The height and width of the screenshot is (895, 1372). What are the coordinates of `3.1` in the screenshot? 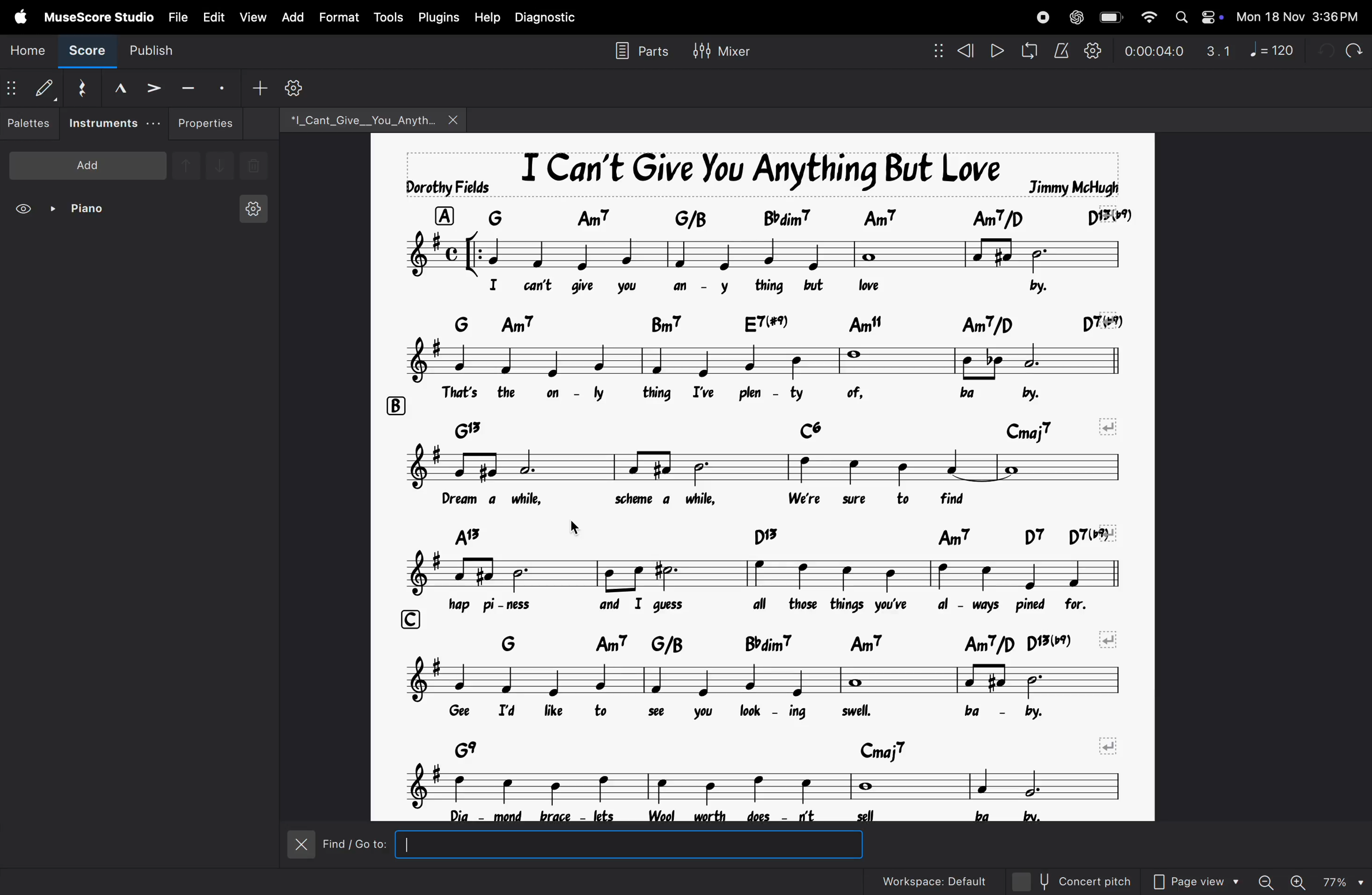 It's located at (1215, 49).